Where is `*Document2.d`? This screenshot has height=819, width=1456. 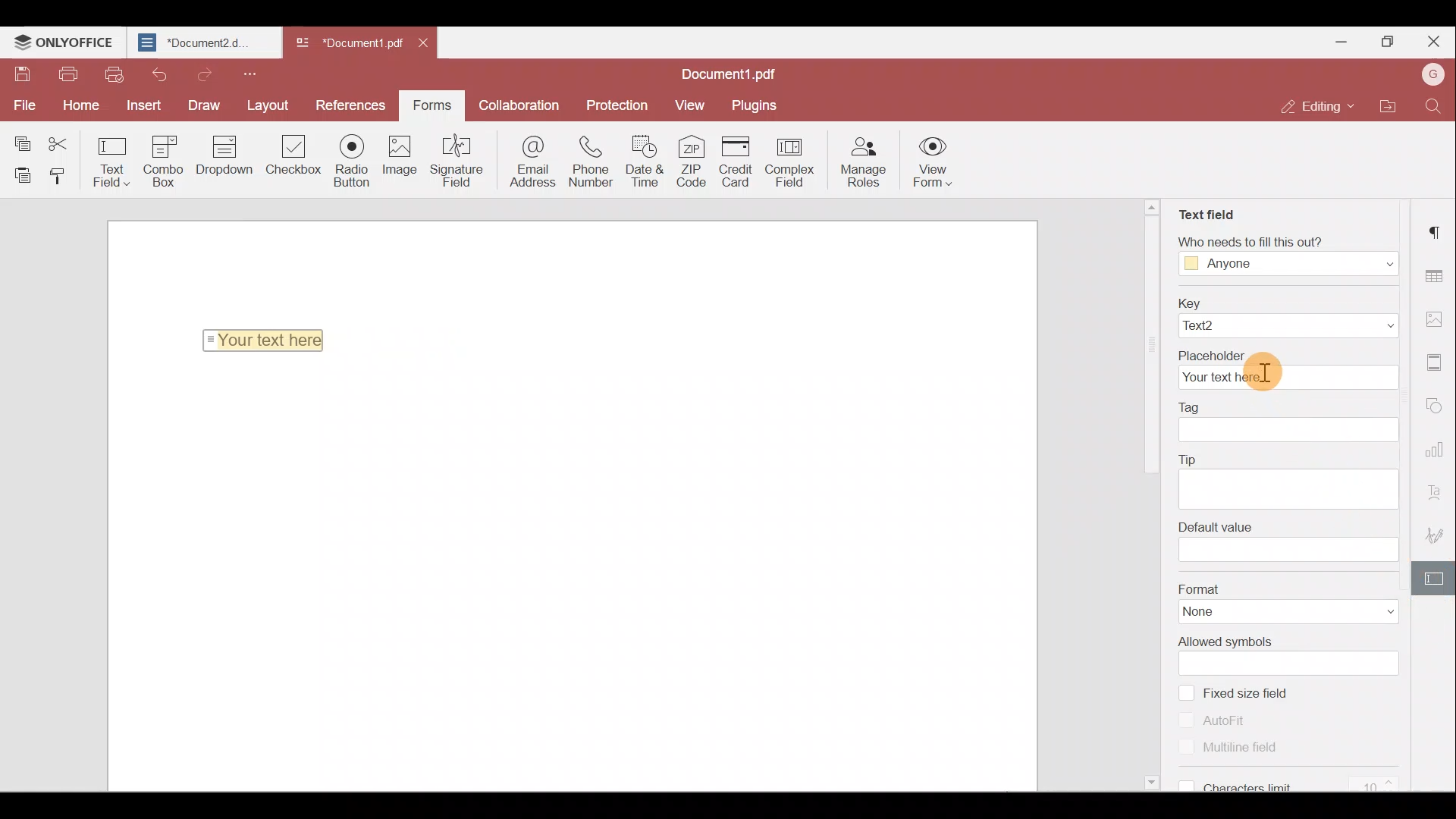
*Document2.d is located at coordinates (202, 42).